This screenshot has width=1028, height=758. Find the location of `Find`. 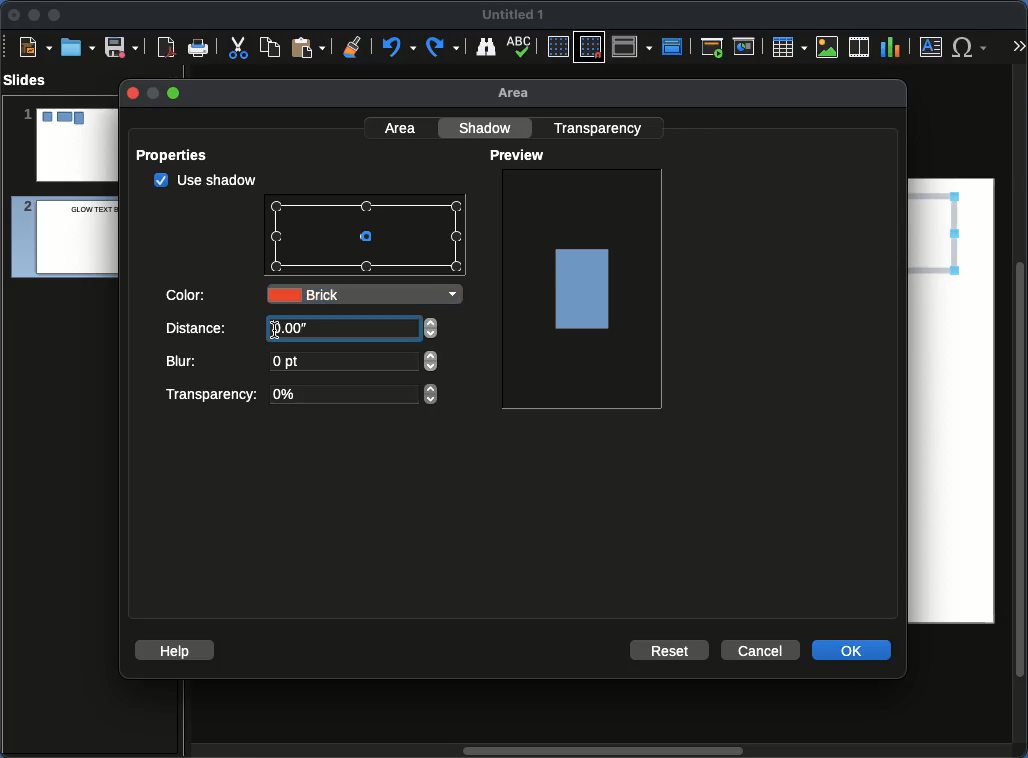

Find is located at coordinates (485, 46).